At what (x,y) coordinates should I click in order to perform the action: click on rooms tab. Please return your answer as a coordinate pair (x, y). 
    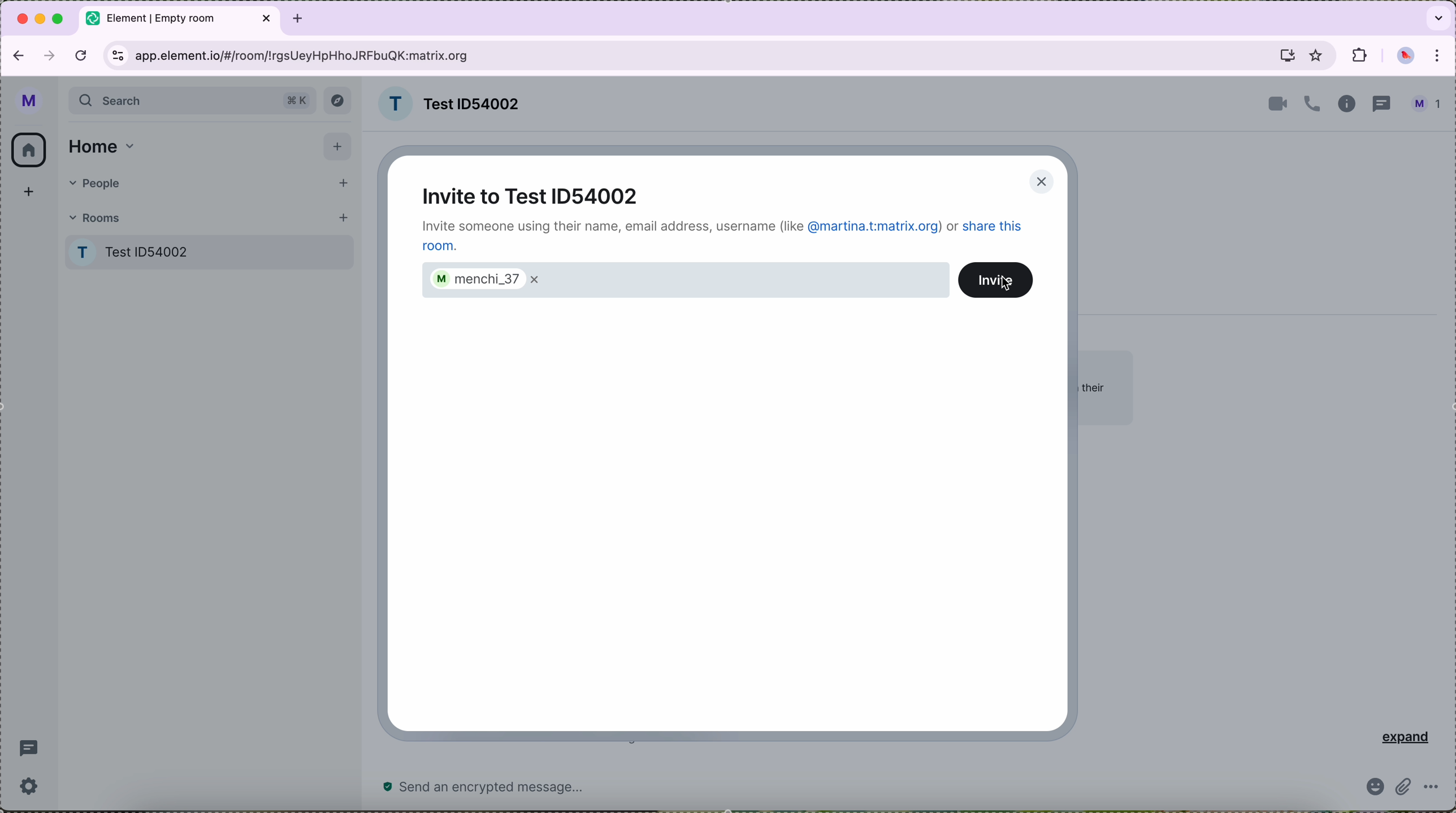
    Looking at the image, I should click on (209, 215).